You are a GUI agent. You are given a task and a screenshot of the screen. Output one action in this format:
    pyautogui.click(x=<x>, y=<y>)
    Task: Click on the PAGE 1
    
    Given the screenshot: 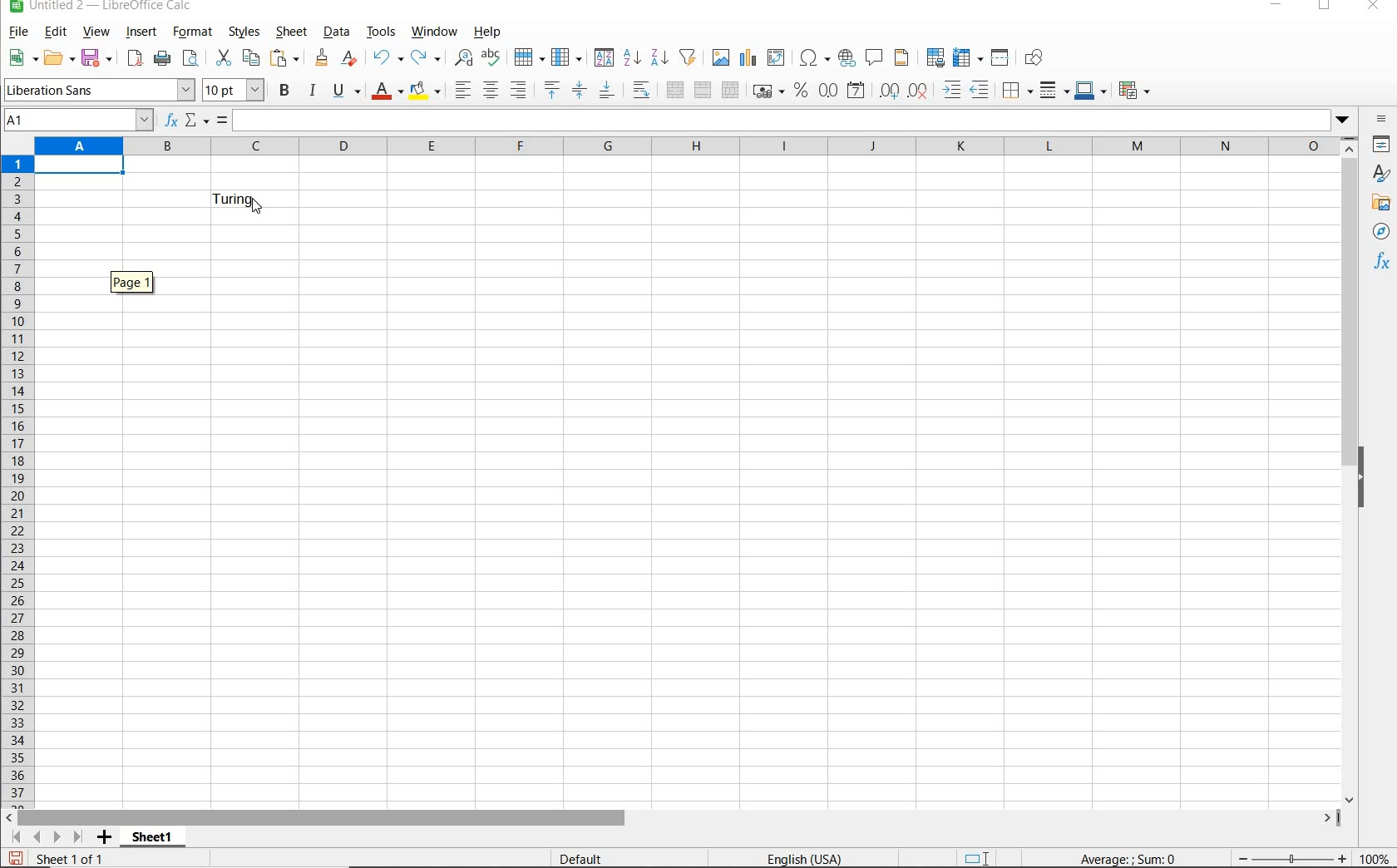 What is the action you would take?
    pyautogui.click(x=135, y=279)
    